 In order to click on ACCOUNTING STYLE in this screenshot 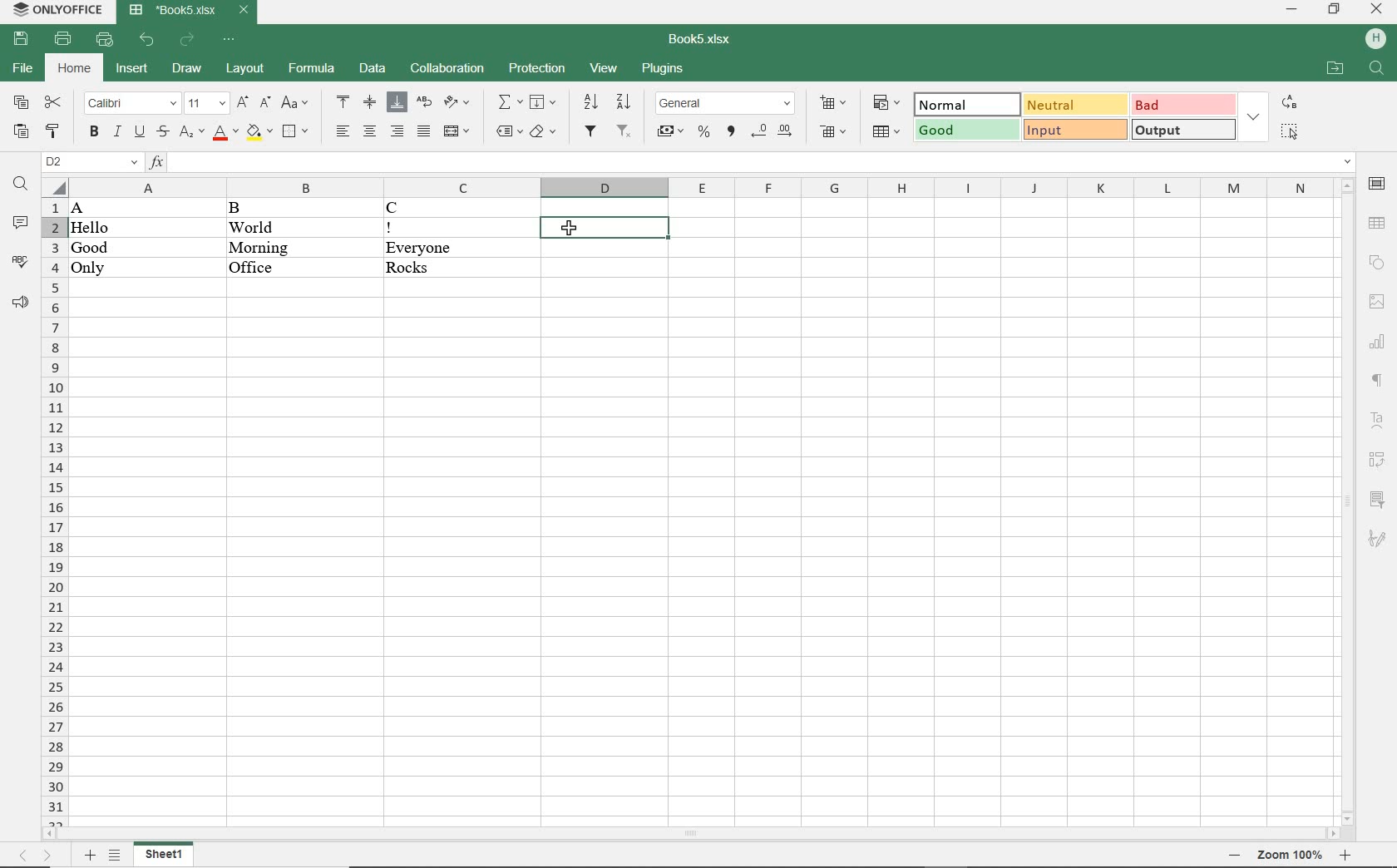, I will do `click(669, 131)`.